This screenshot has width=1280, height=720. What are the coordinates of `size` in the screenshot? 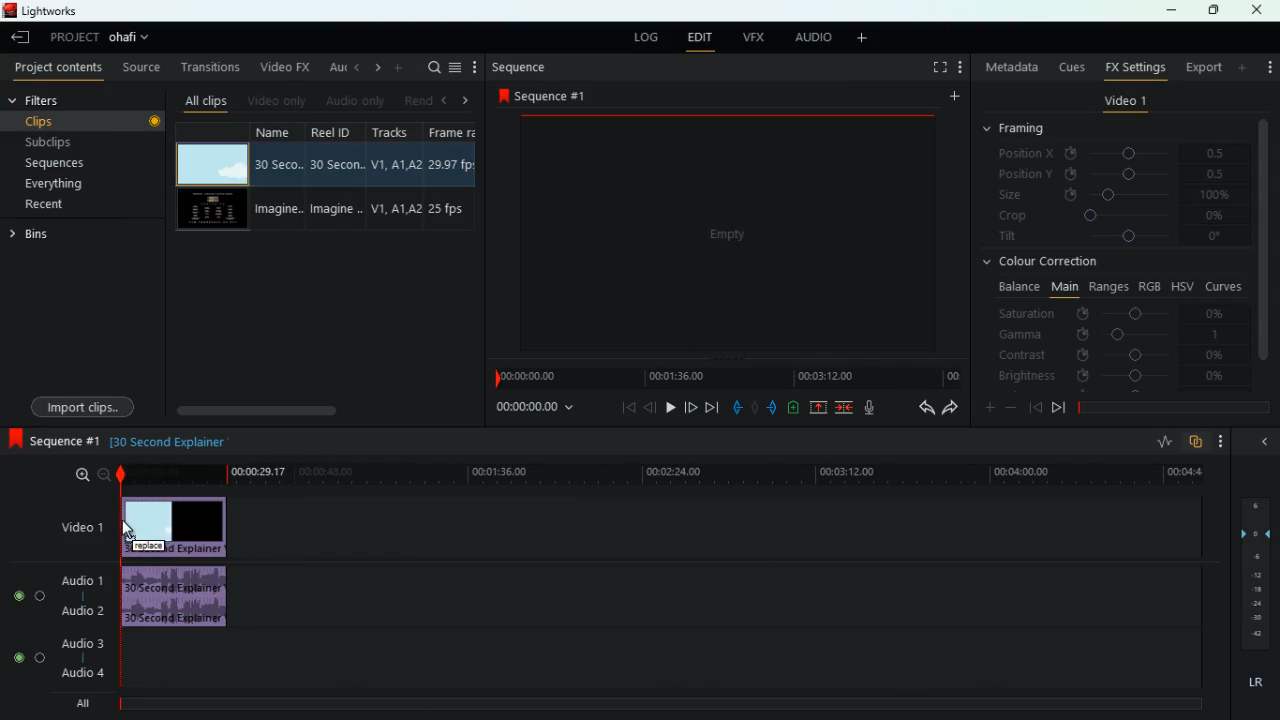 It's located at (1115, 194).